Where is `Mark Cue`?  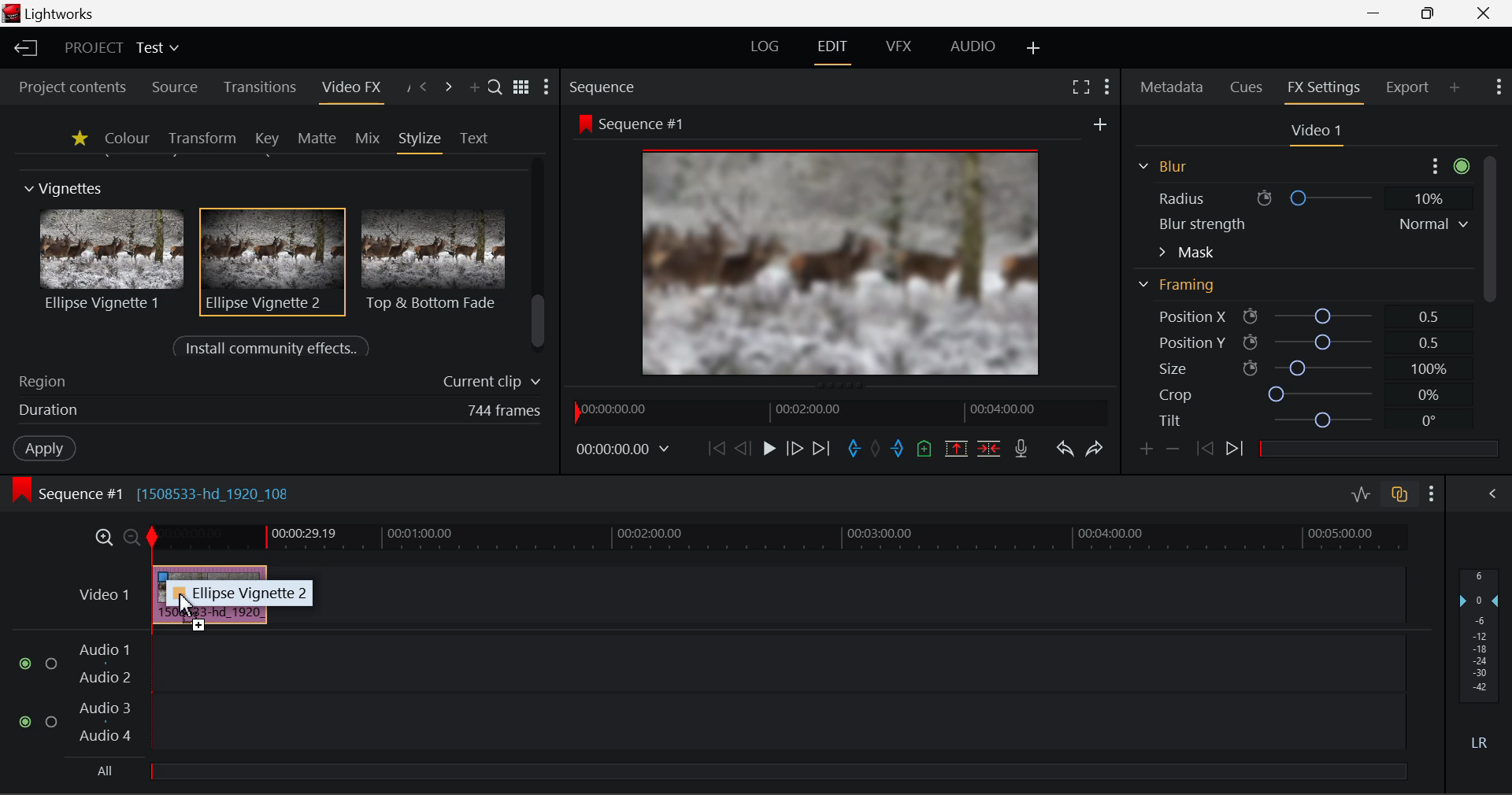 Mark Cue is located at coordinates (925, 448).